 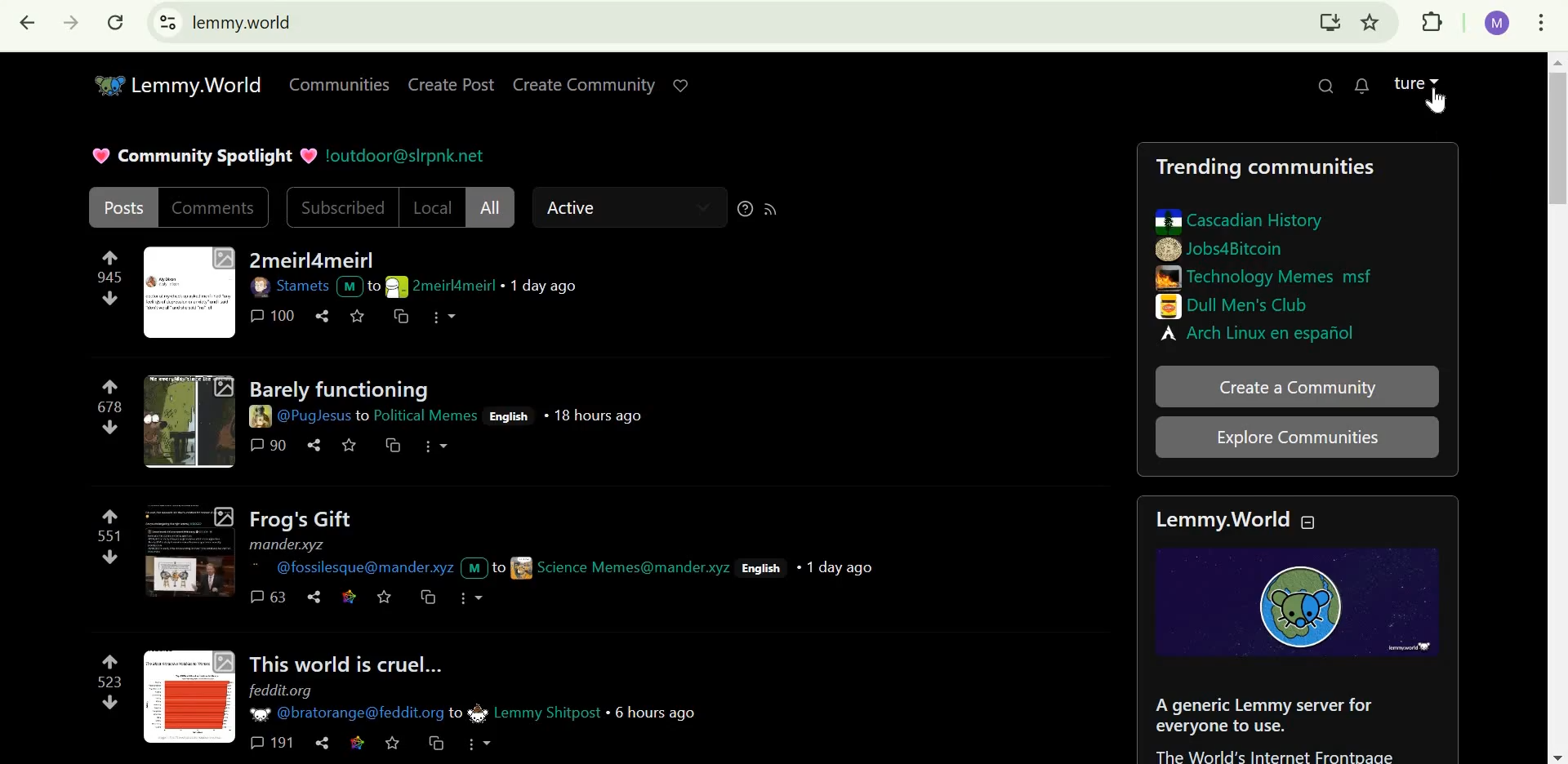 What do you see at coordinates (313, 446) in the screenshot?
I see `share` at bounding box center [313, 446].